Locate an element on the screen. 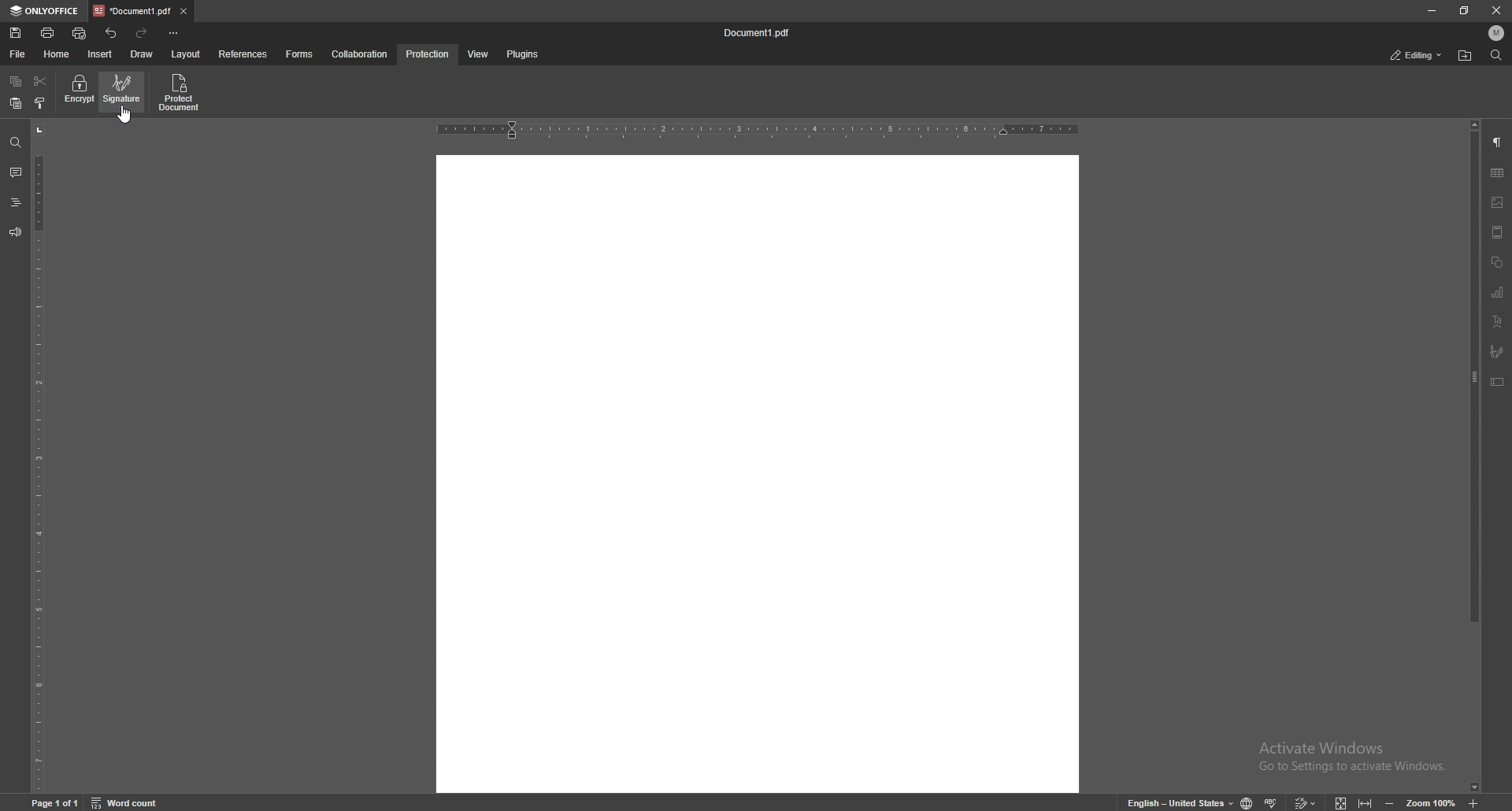  shapes is located at coordinates (1496, 263).